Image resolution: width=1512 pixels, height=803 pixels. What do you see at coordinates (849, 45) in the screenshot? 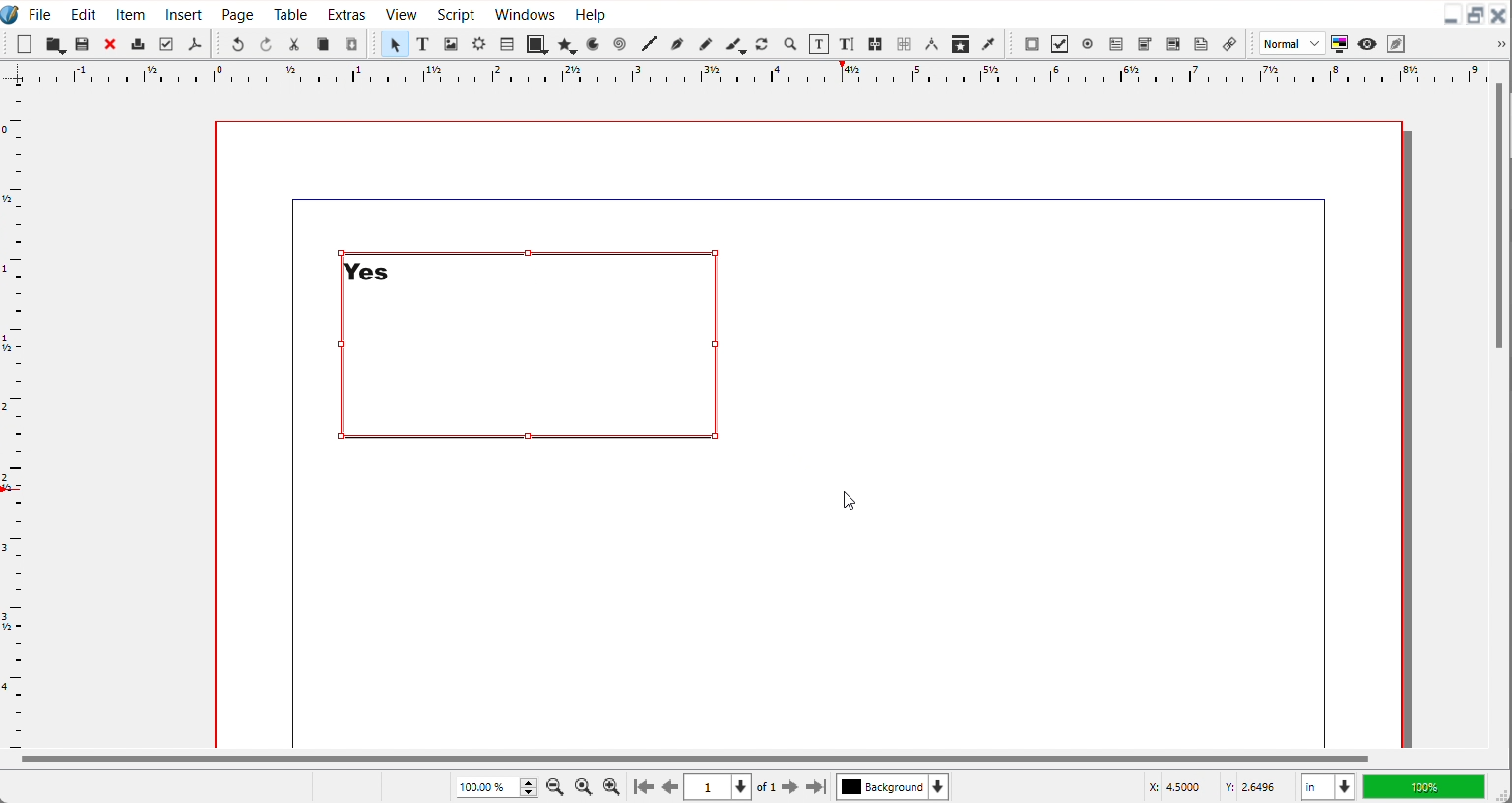
I see `Edit Text` at bounding box center [849, 45].